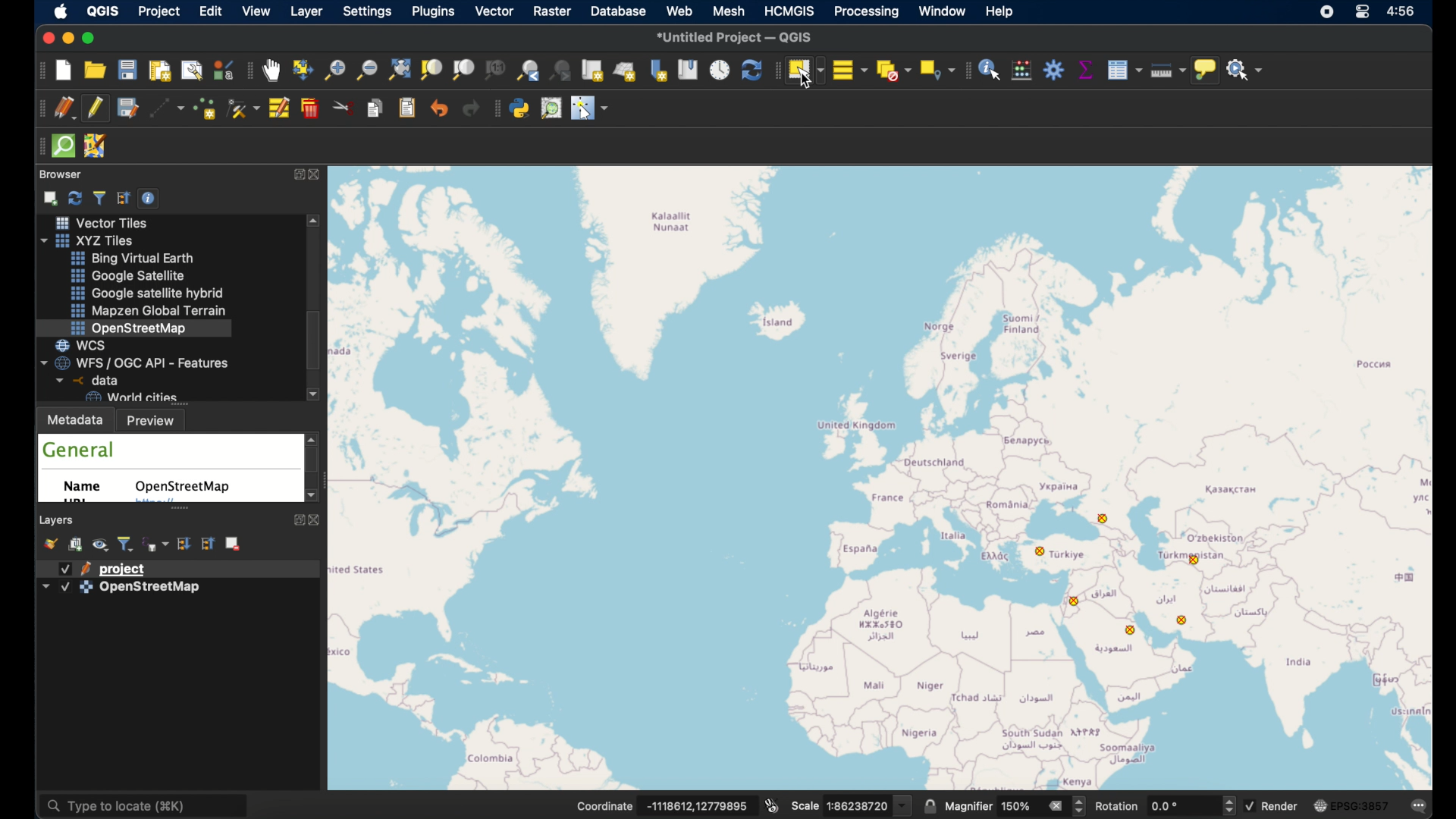 The height and width of the screenshot is (819, 1456). Describe the element at coordinates (61, 174) in the screenshot. I see `browser` at that location.